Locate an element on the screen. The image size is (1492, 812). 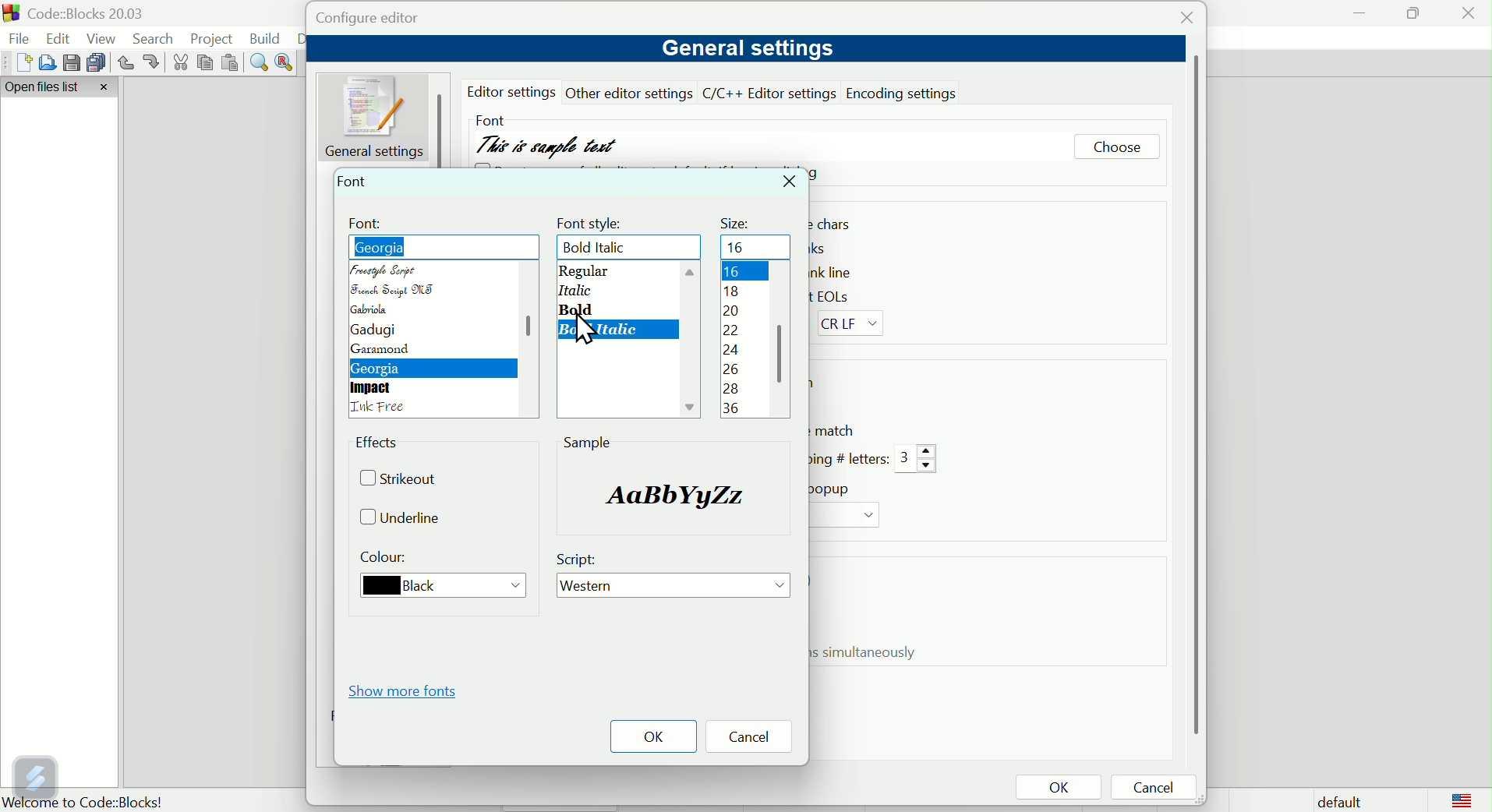
Bold oblique is located at coordinates (602, 330).